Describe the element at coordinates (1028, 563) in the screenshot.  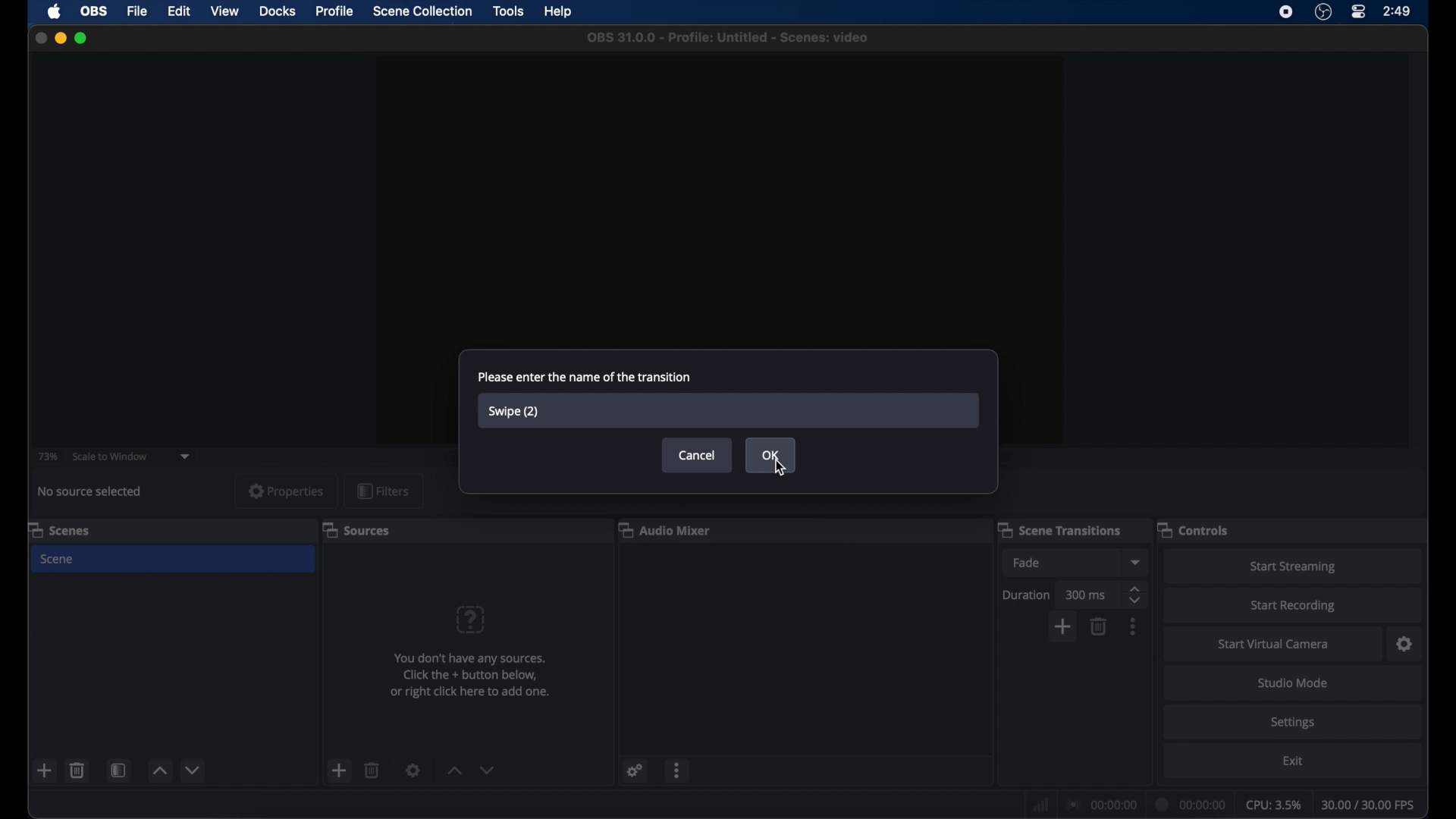
I see `fade` at that location.